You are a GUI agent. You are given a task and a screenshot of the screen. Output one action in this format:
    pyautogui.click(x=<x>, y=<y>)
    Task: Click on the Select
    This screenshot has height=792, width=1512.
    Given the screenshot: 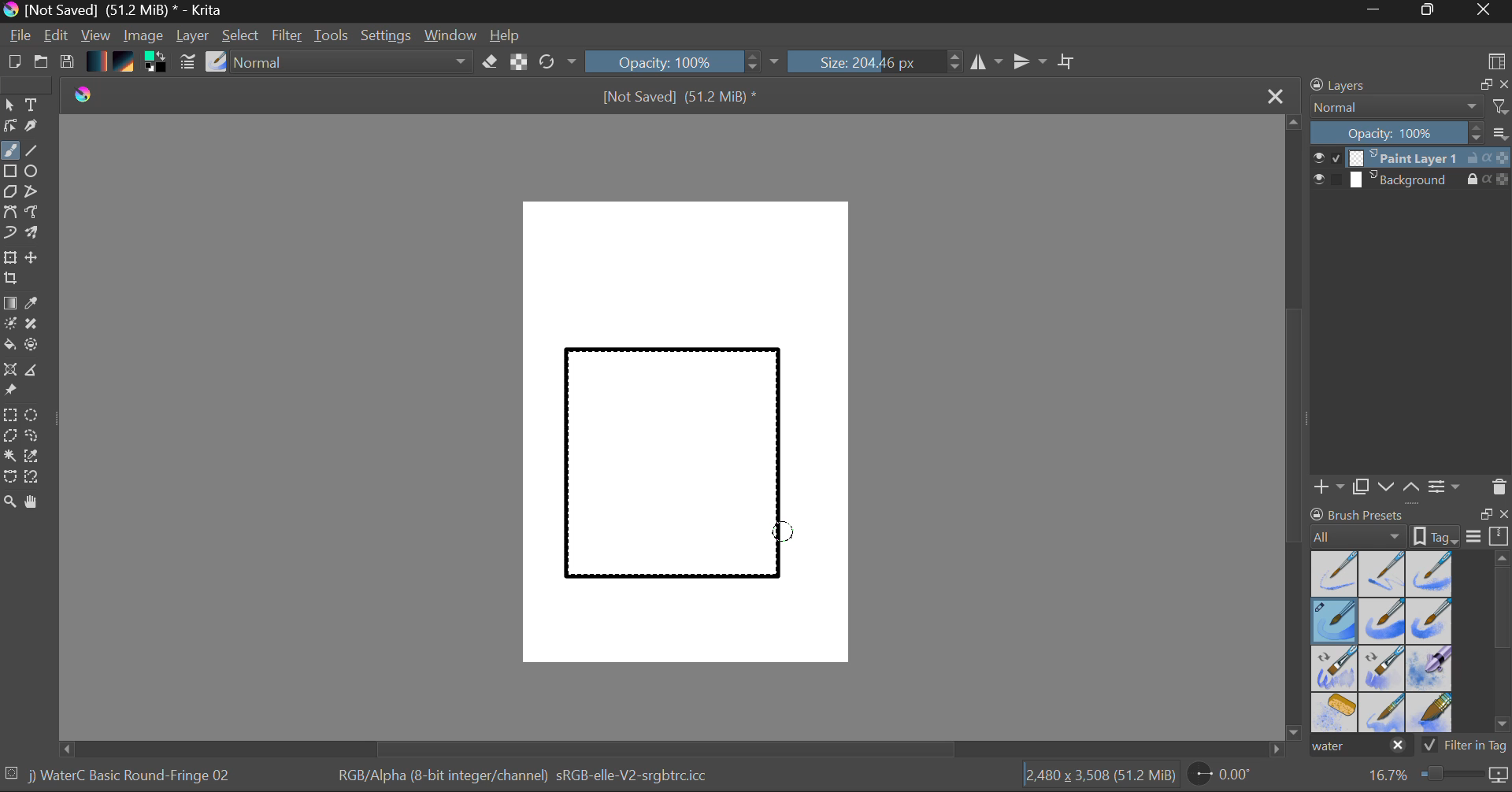 What is the action you would take?
    pyautogui.click(x=242, y=36)
    